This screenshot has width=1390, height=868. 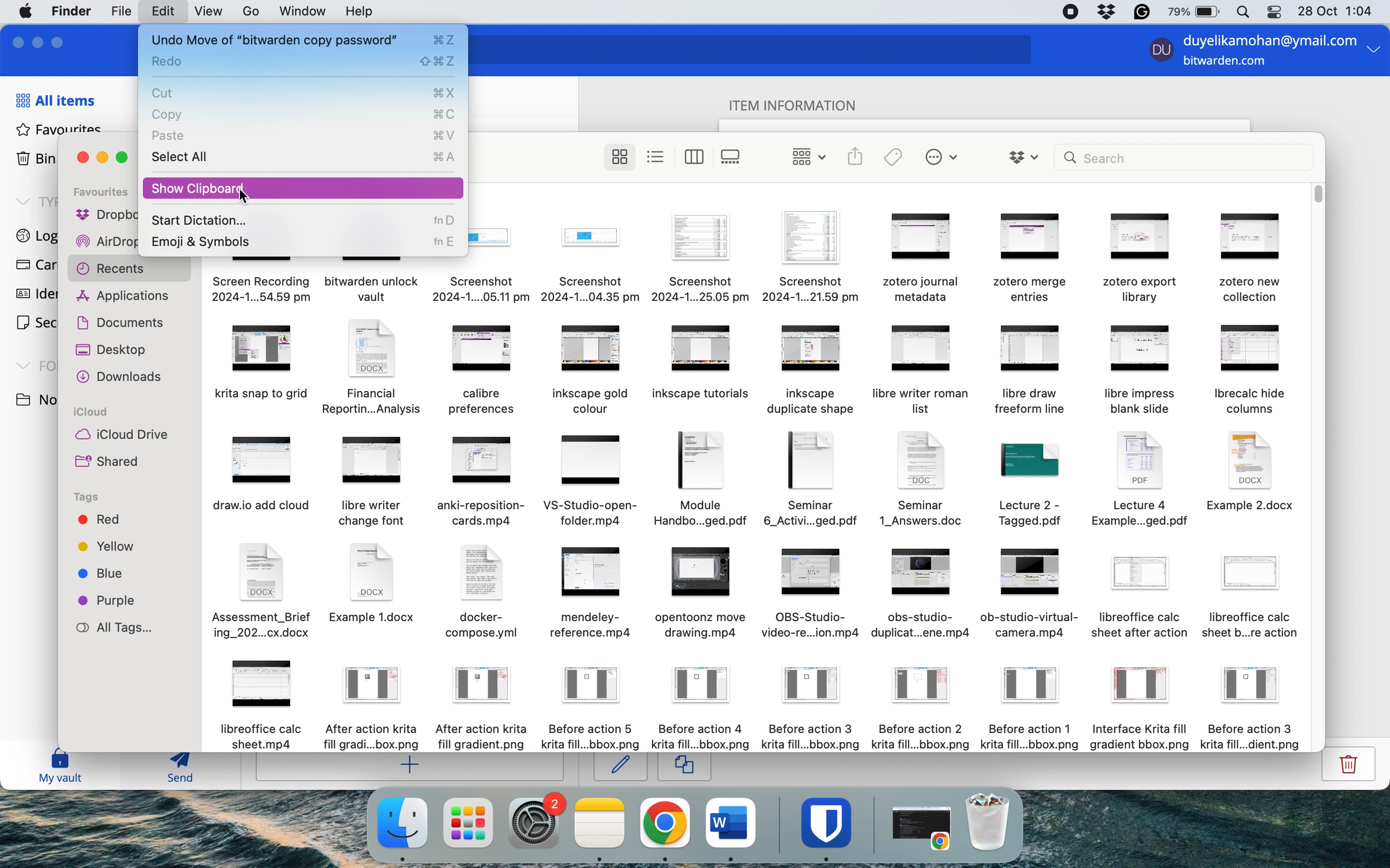 I want to click on system files, so click(x=756, y=507).